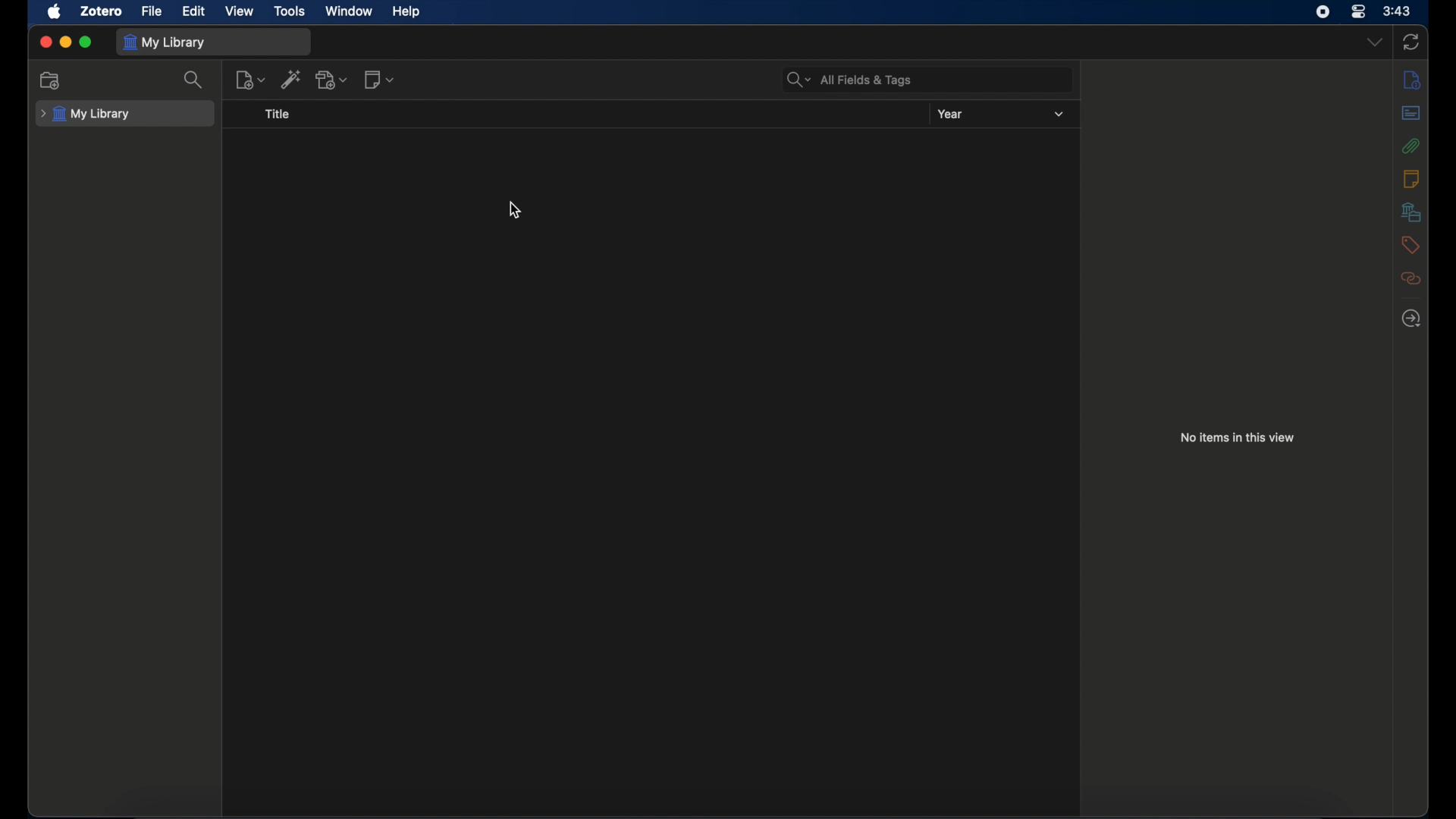 The width and height of the screenshot is (1456, 819). I want to click on related, so click(1410, 278).